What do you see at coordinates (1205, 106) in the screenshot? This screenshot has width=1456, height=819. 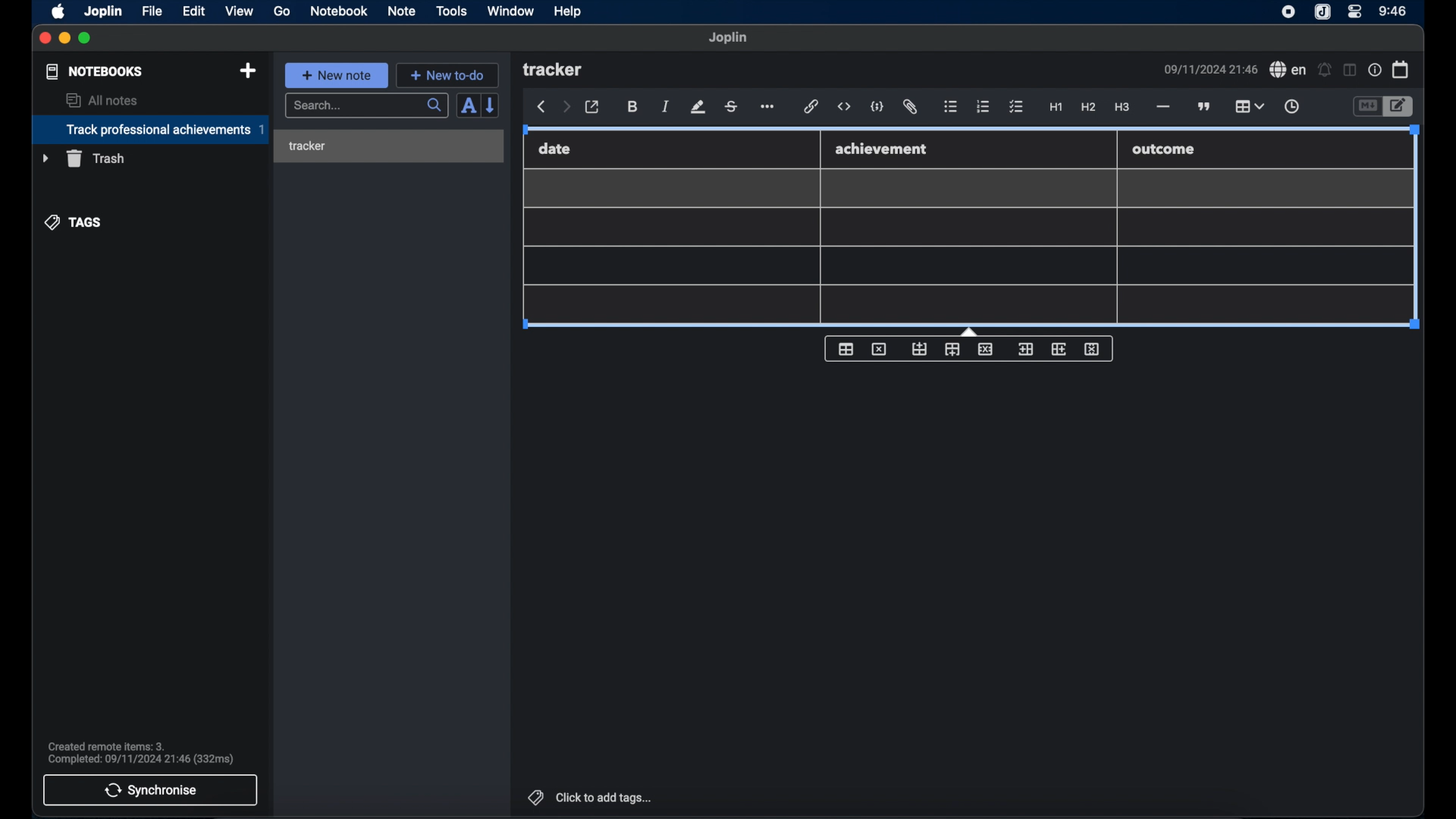 I see `block quote` at bounding box center [1205, 106].